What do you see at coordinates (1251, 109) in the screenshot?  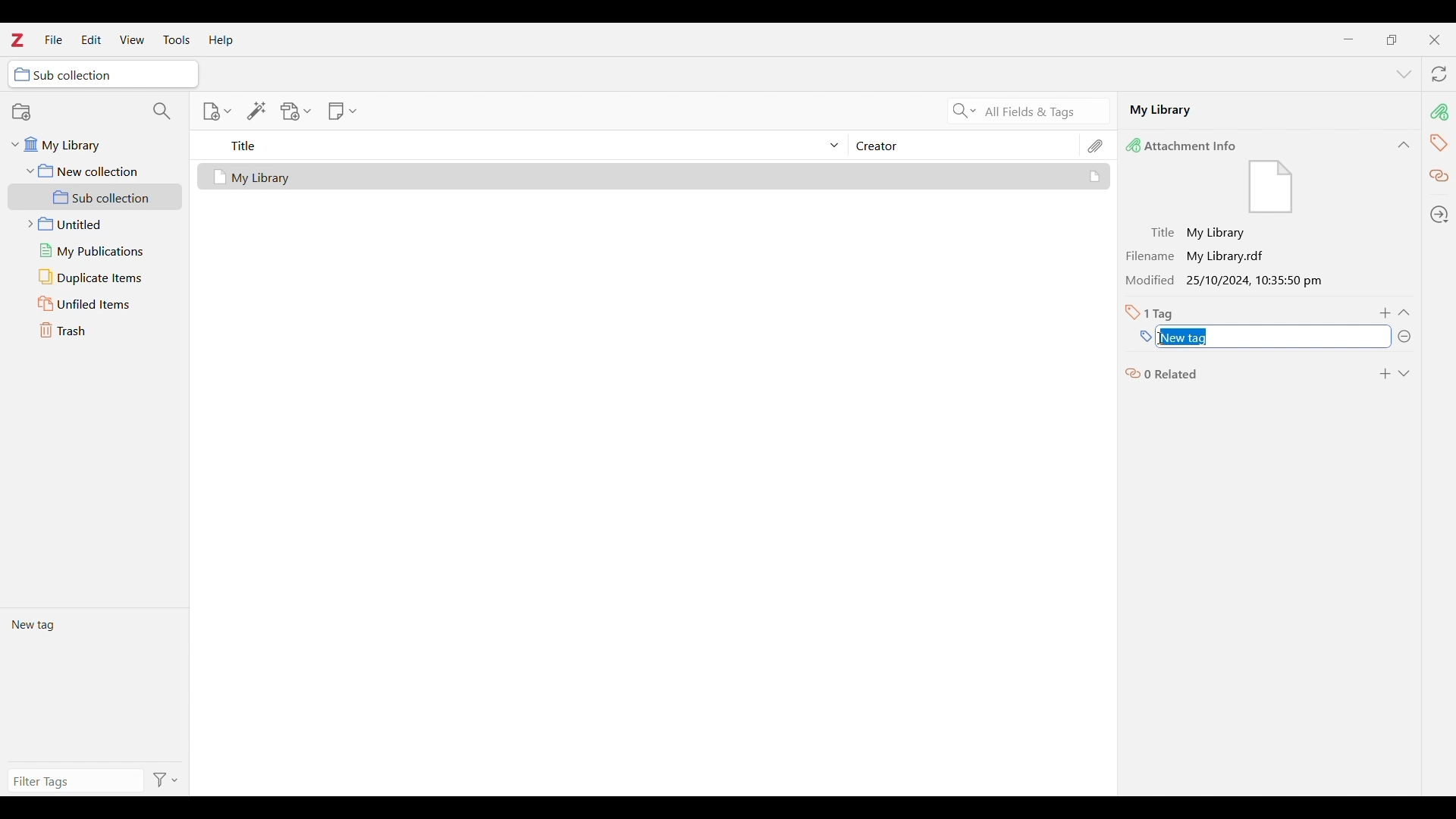 I see `Name of selected file` at bounding box center [1251, 109].